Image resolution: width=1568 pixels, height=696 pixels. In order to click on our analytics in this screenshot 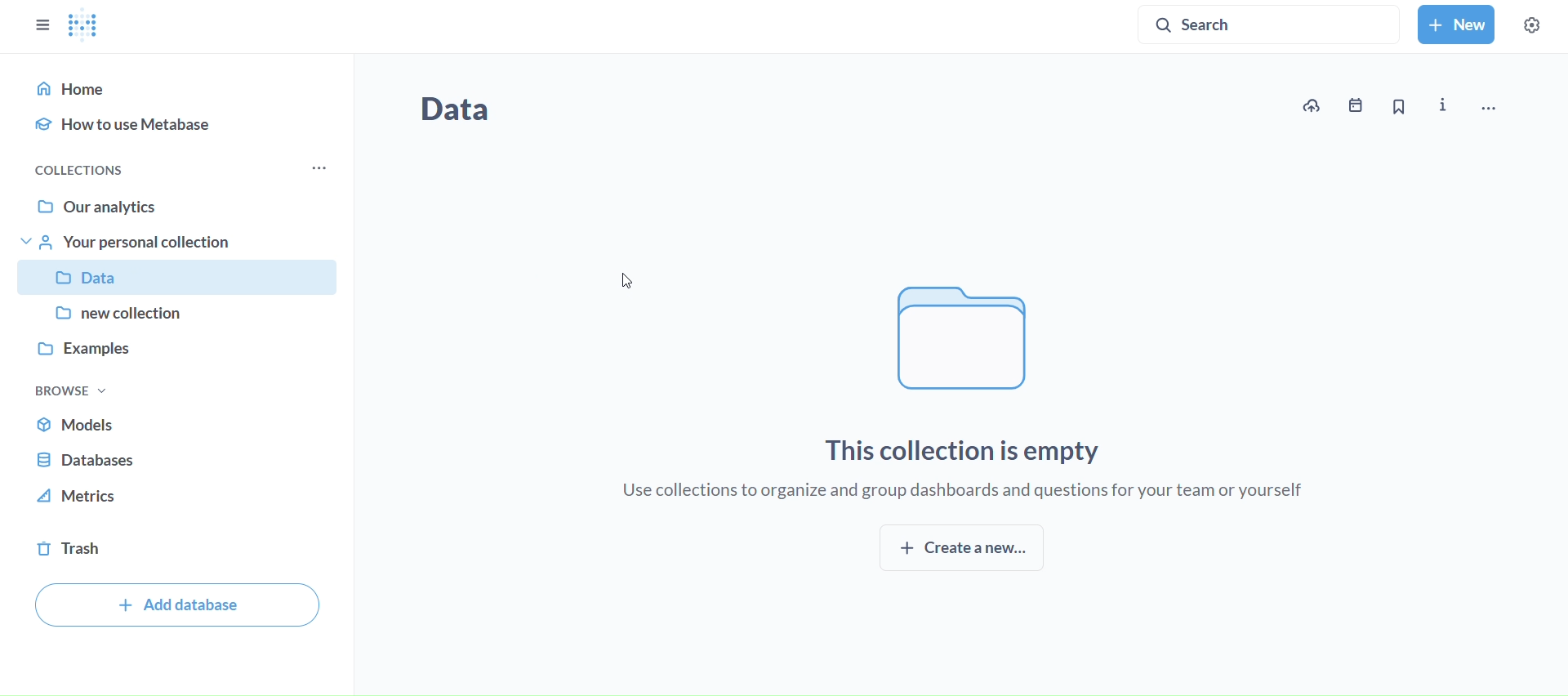, I will do `click(180, 203)`.